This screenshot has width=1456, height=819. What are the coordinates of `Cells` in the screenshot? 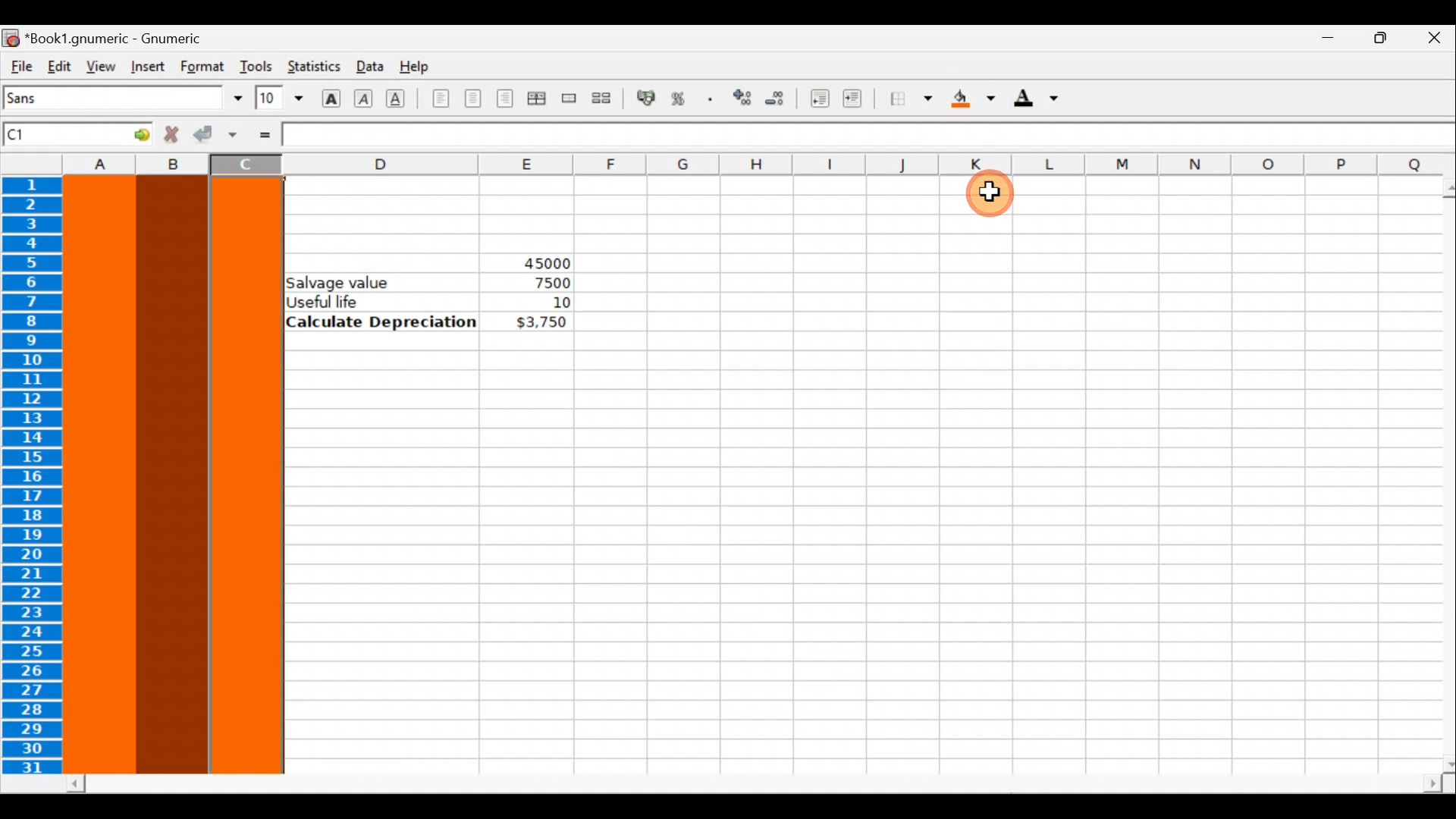 It's located at (836, 573).